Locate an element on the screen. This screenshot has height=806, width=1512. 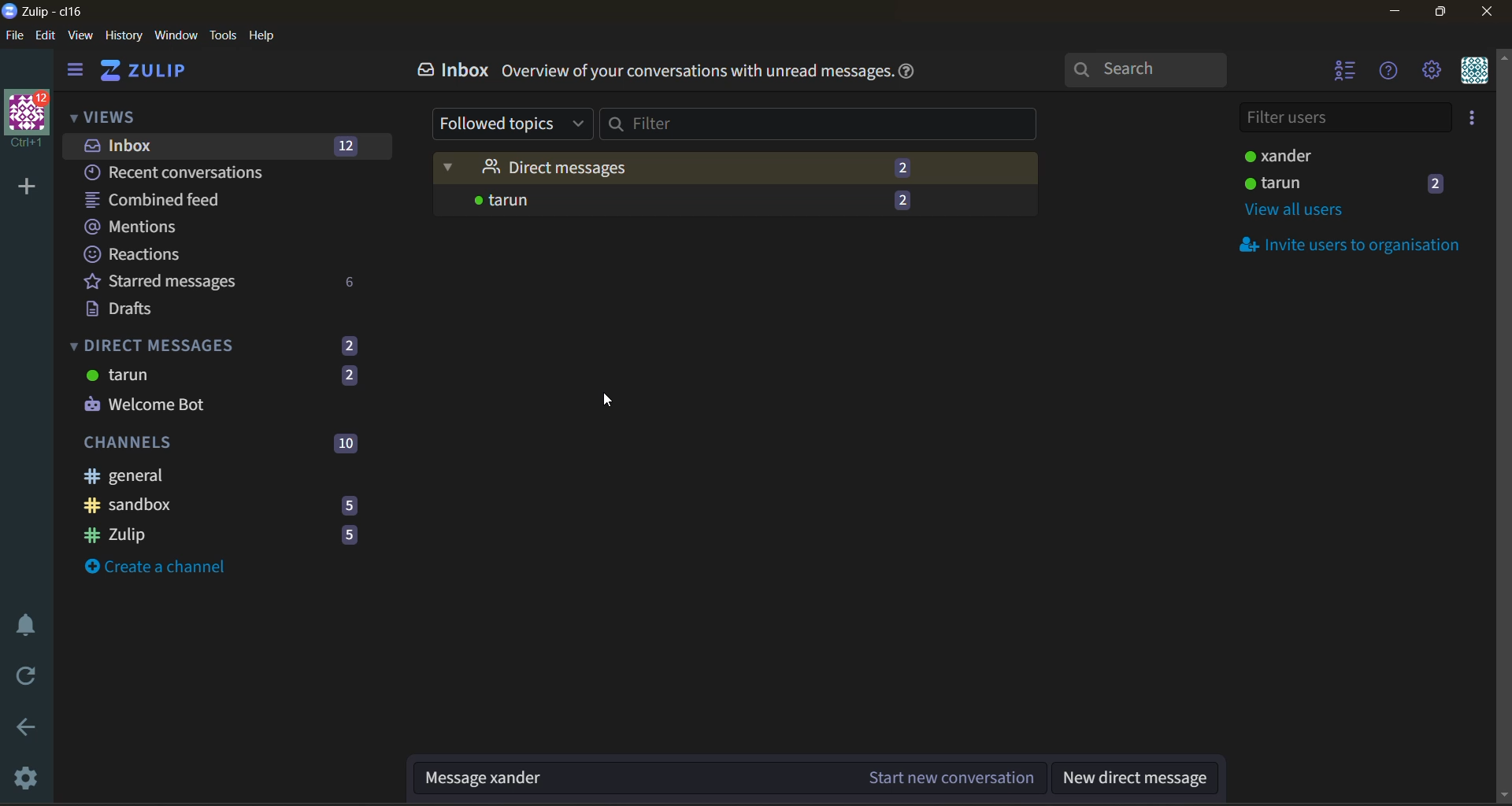
followed topics is located at coordinates (513, 124).